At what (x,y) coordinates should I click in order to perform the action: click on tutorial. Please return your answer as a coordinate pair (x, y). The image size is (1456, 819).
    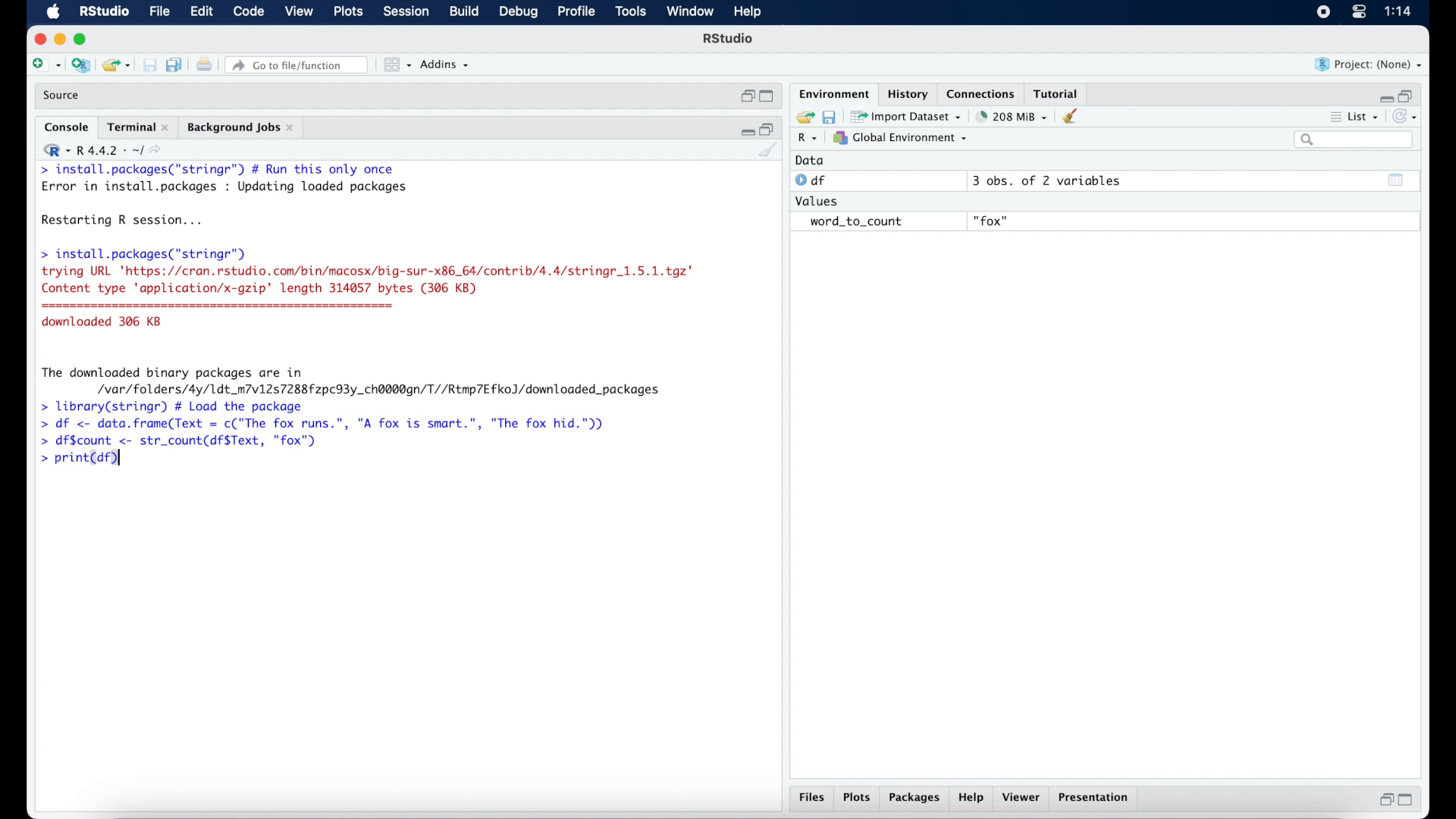
    Looking at the image, I should click on (1056, 92).